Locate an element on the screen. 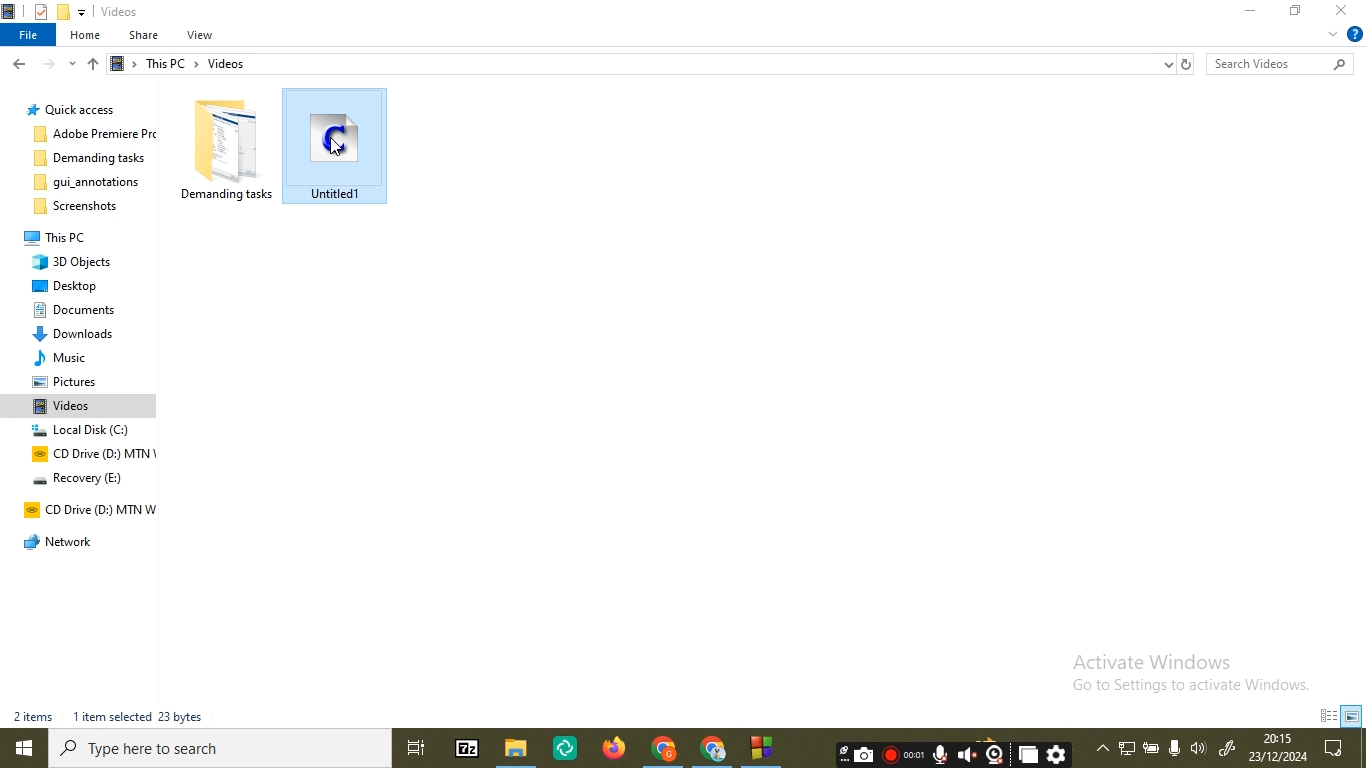 Image resolution: width=1366 pixels, height=768 pixels. file is located at coordinates (226, 149).